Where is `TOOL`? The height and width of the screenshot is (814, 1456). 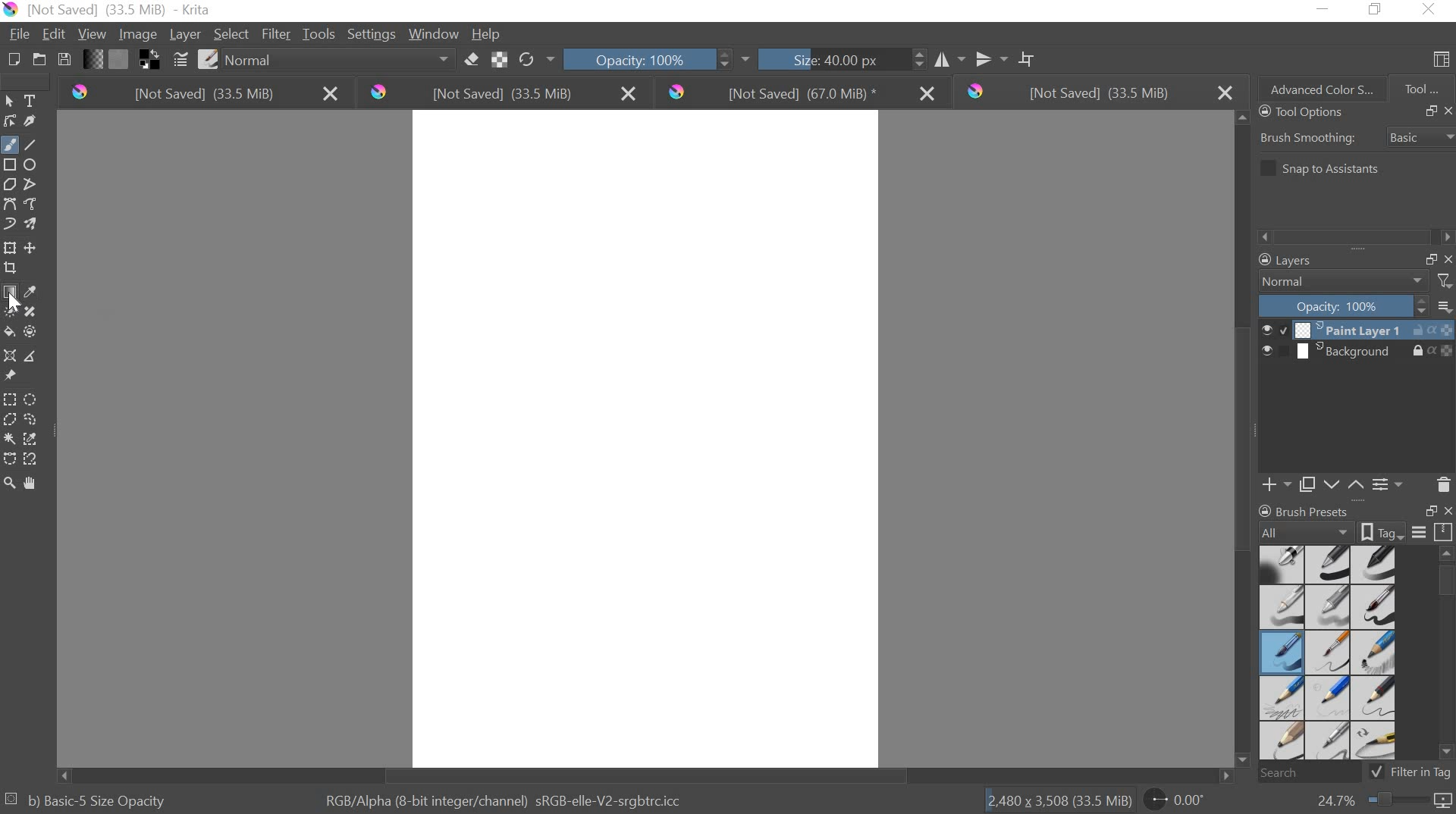 TOOL is located at coordinates (1423, 88).